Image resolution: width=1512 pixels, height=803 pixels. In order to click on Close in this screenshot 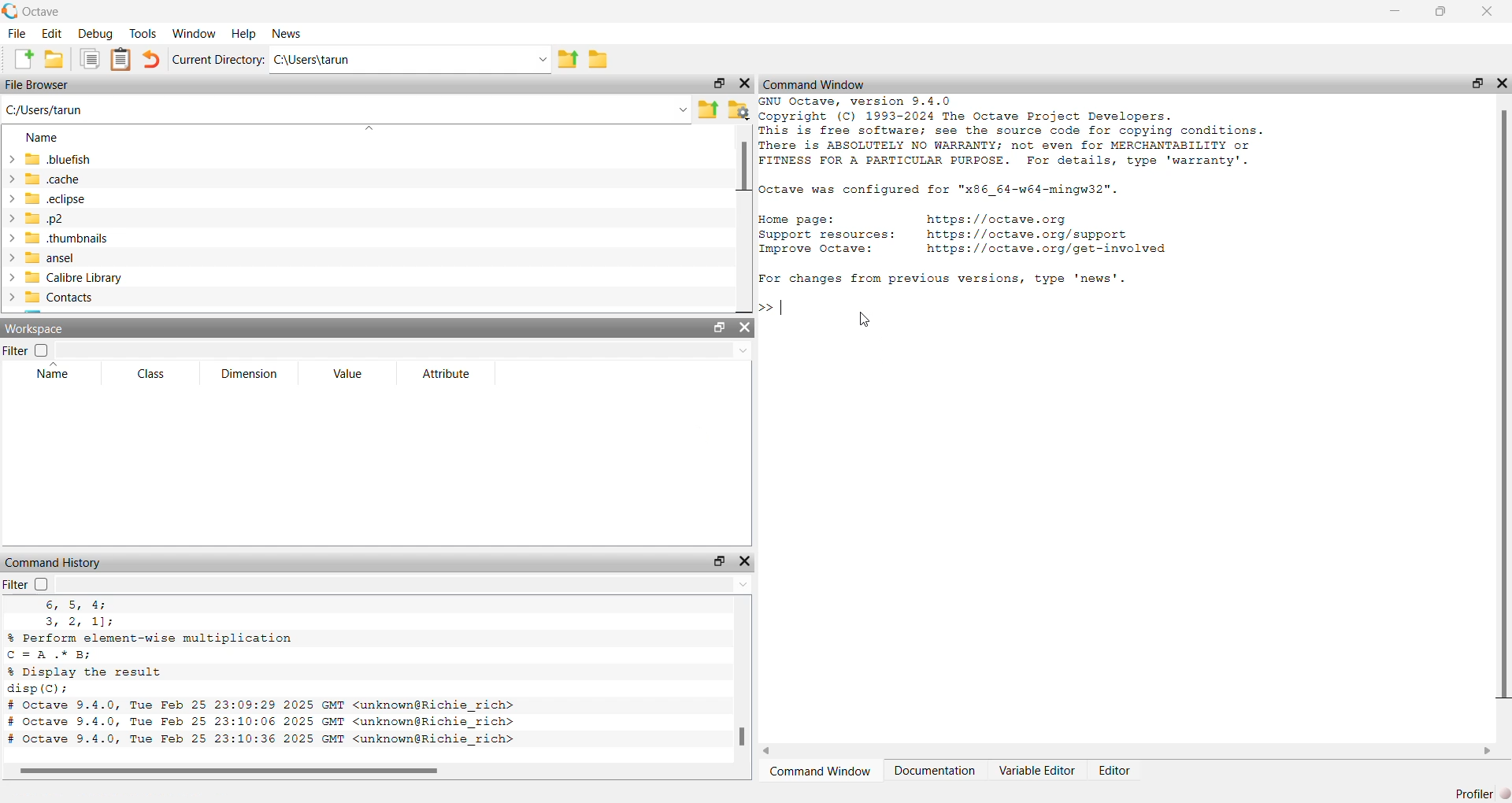, I will do `click(1501, 82)`.